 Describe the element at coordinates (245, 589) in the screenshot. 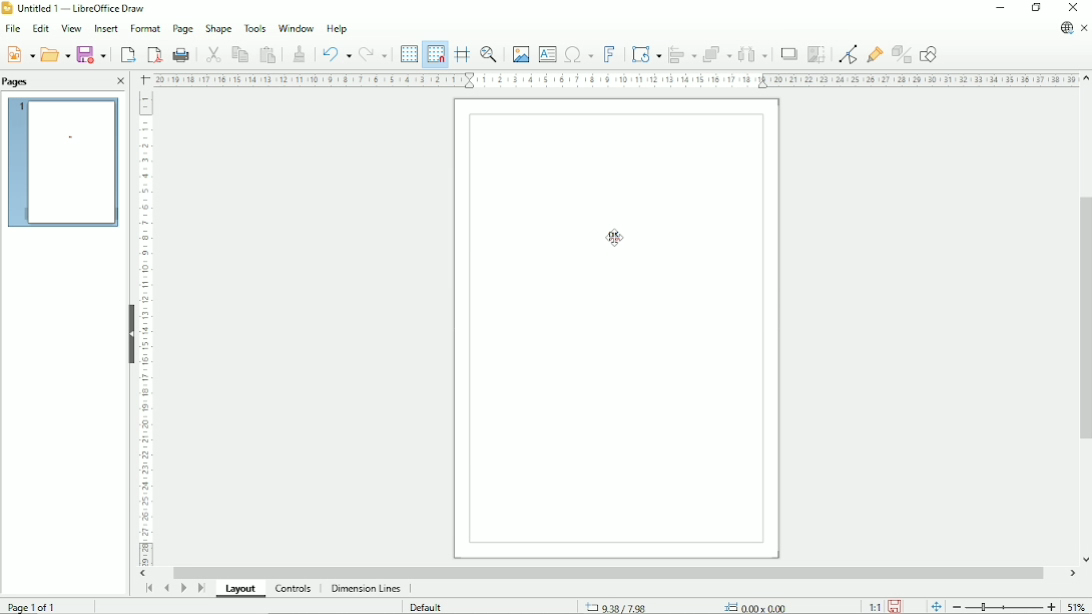

I see `Layout` at that location.